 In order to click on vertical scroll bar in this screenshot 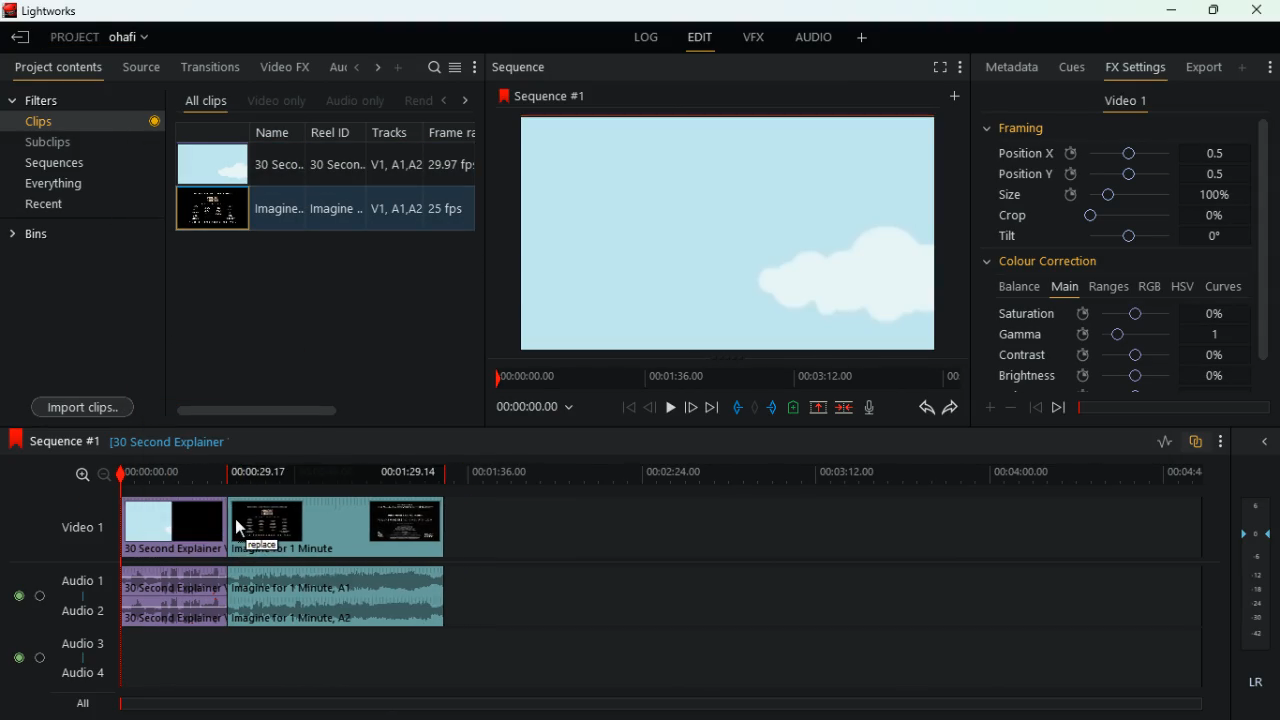, I will do `click(1264, 253)`.